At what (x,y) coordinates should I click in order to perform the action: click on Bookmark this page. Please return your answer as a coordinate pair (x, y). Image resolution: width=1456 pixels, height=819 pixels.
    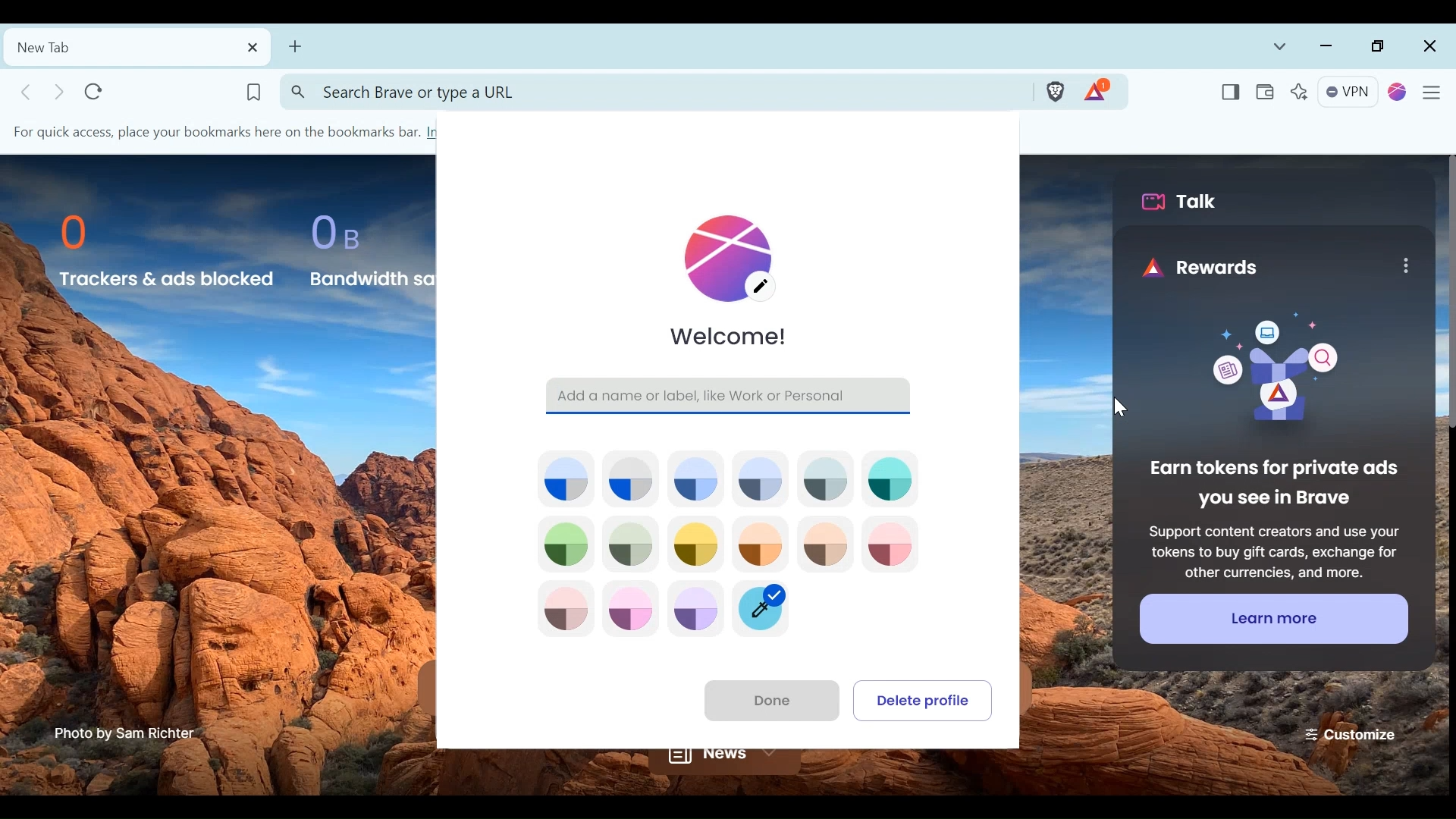
    Looking at the image, I should click on (253, 90).